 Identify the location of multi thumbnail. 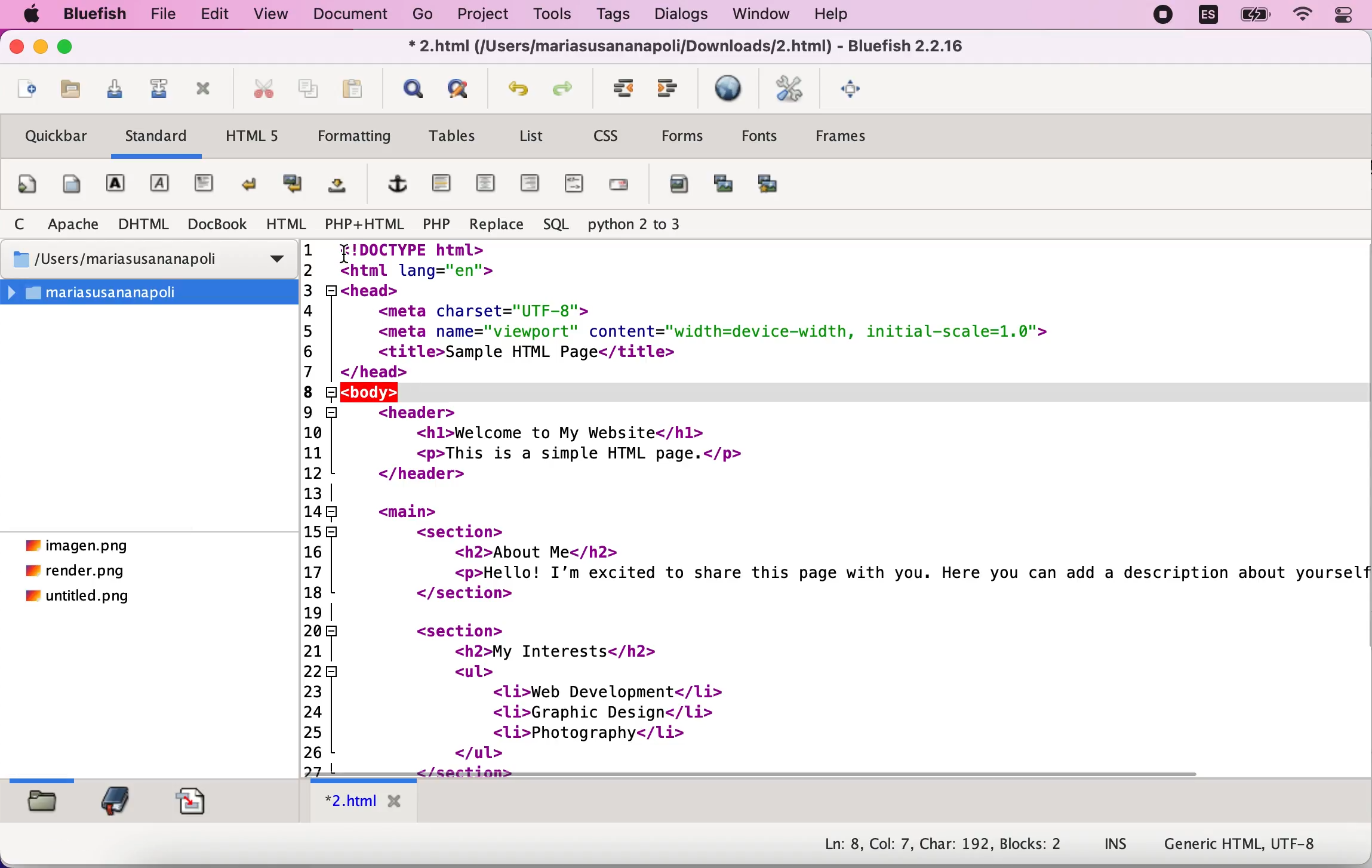
(776, 187).